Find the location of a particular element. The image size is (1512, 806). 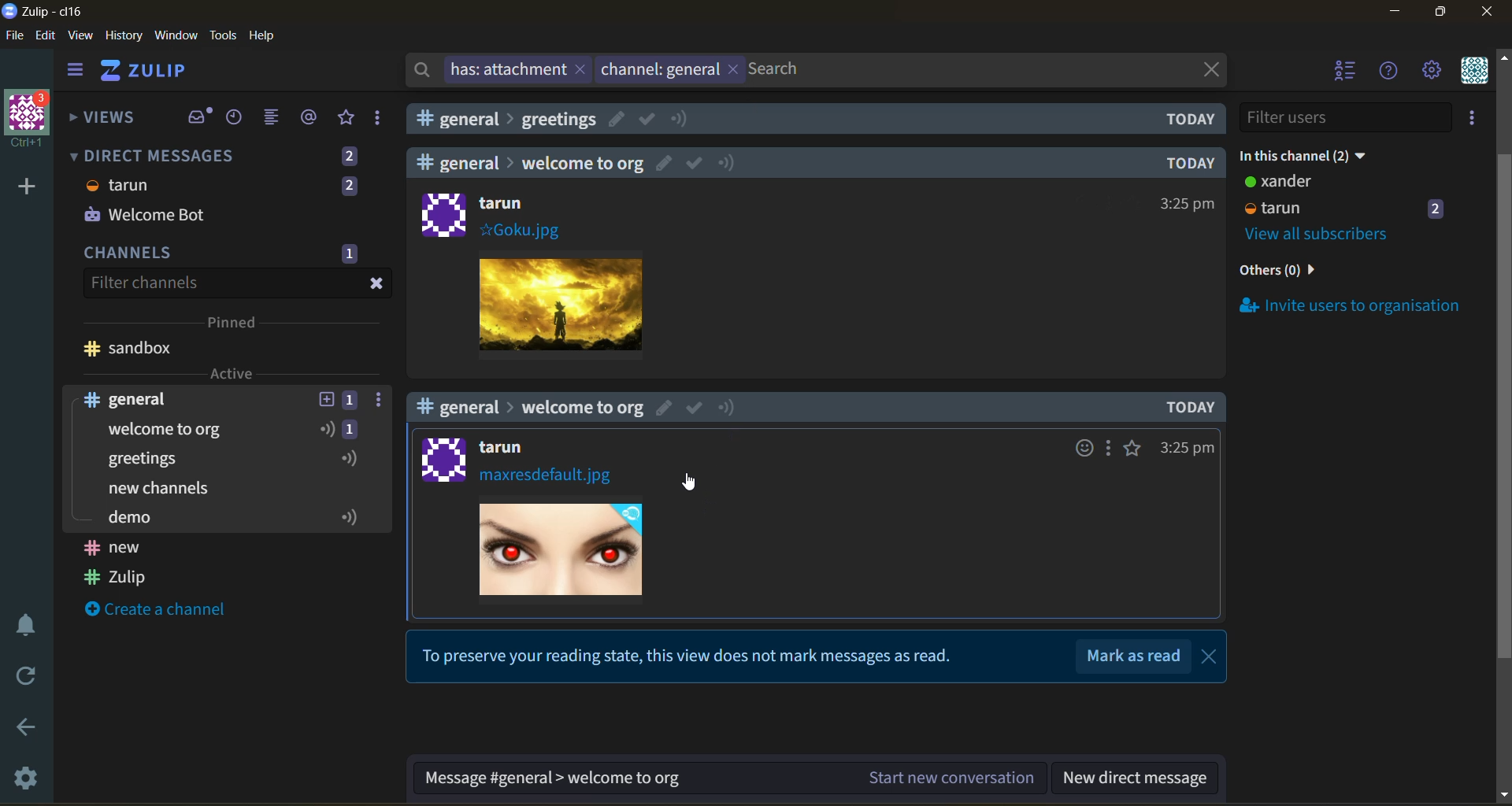

logo is located at coordinates (438, 457).